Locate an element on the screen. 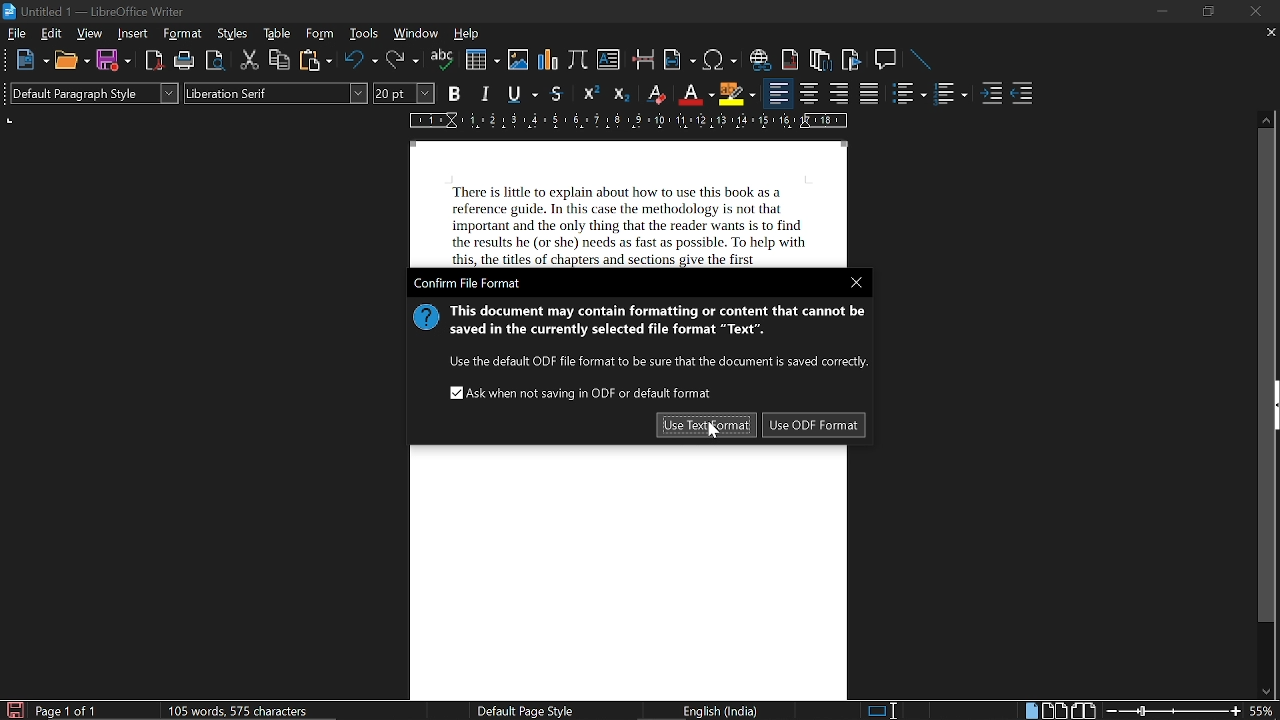 The image size is (1280, 720). current zoom is located at coordinates (1264, 710).